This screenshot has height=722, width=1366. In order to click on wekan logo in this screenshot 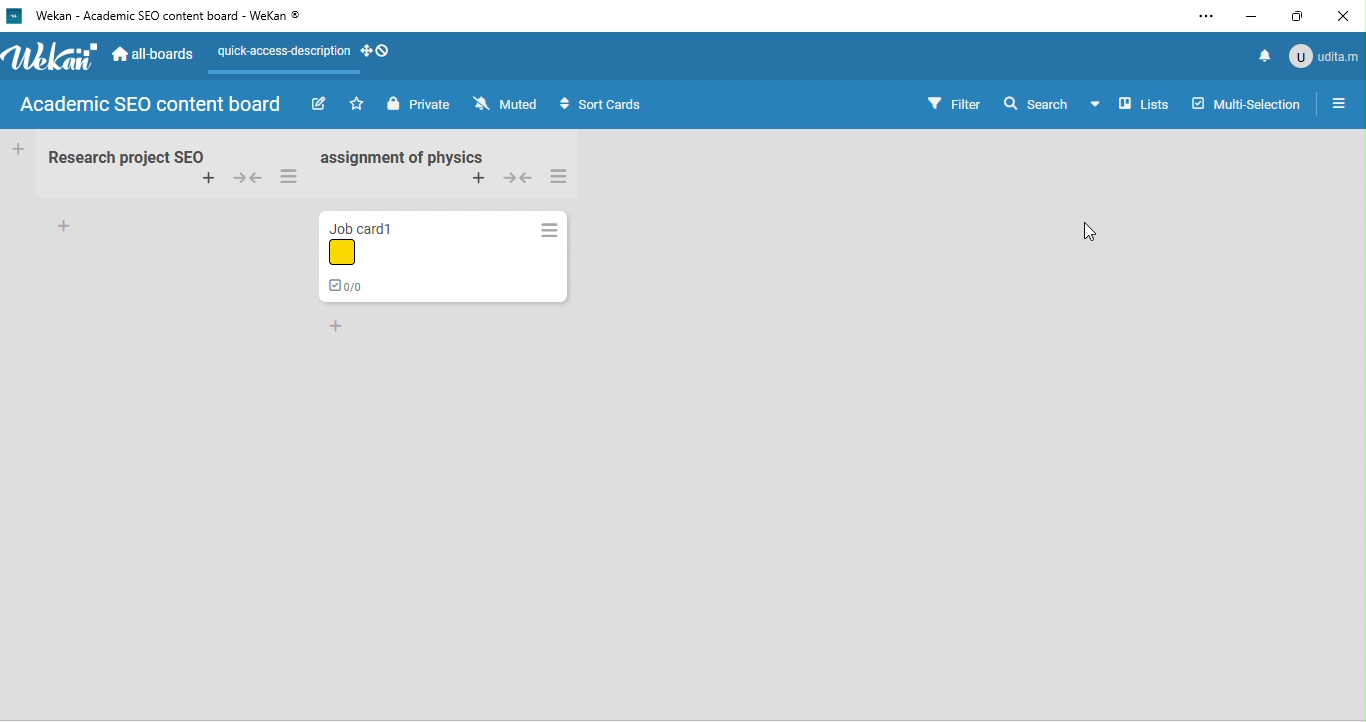, I will do `click(53, 60)`.